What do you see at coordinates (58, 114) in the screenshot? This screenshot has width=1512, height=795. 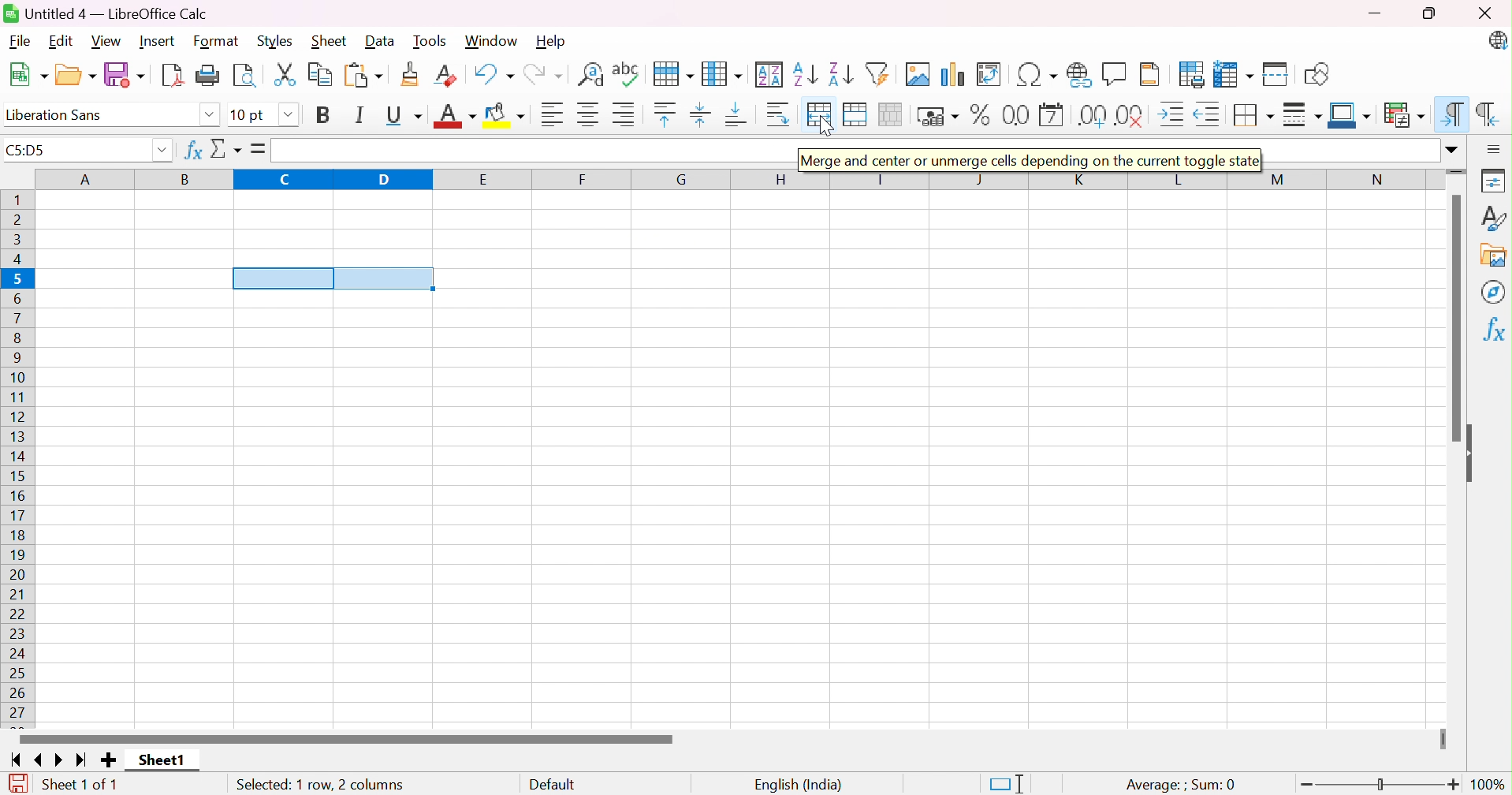 I see `Liberation Sans` at bounding box center [58, 114].